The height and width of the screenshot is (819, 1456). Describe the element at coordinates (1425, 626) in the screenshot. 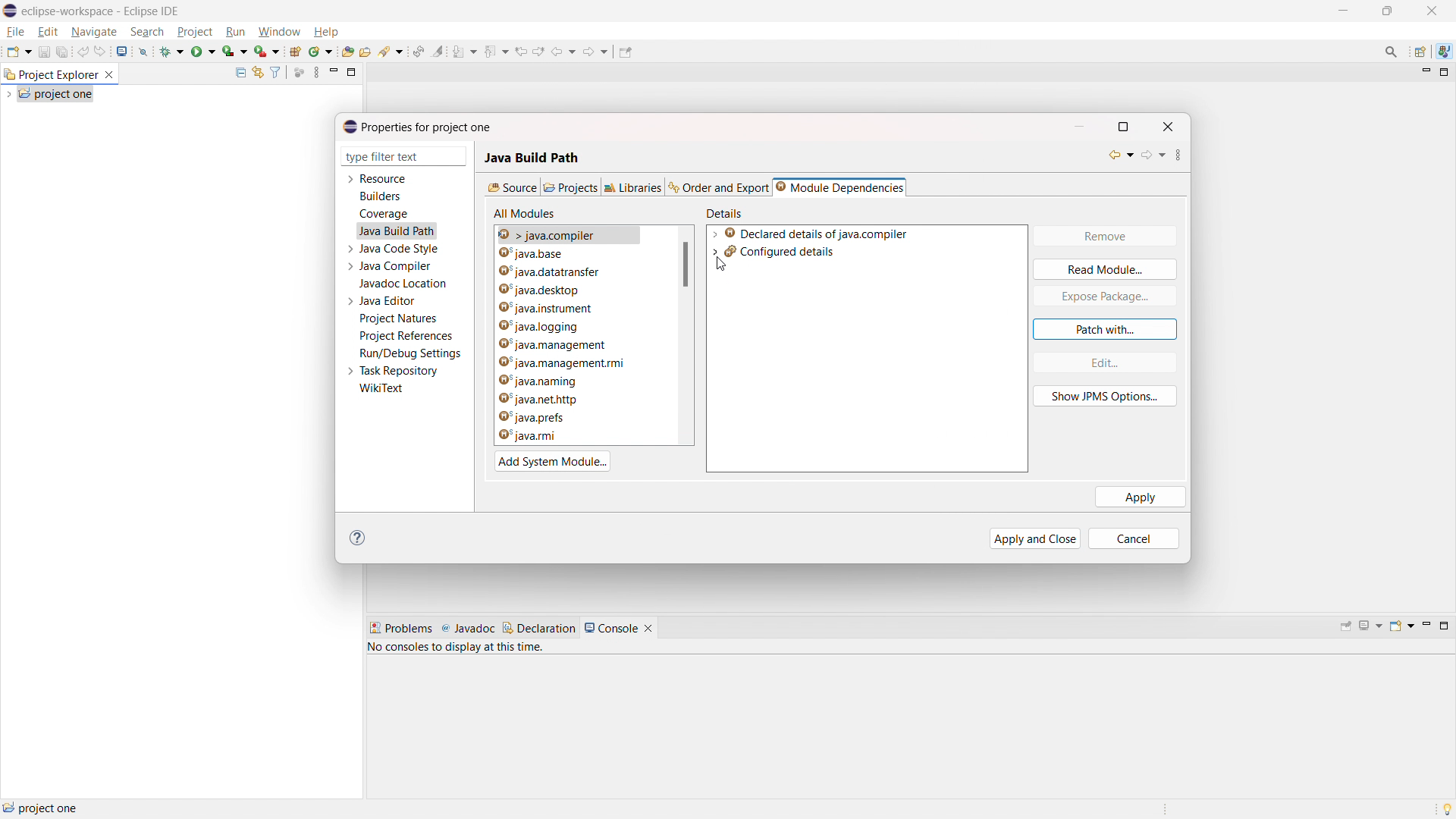

I see `minimize` at that location.